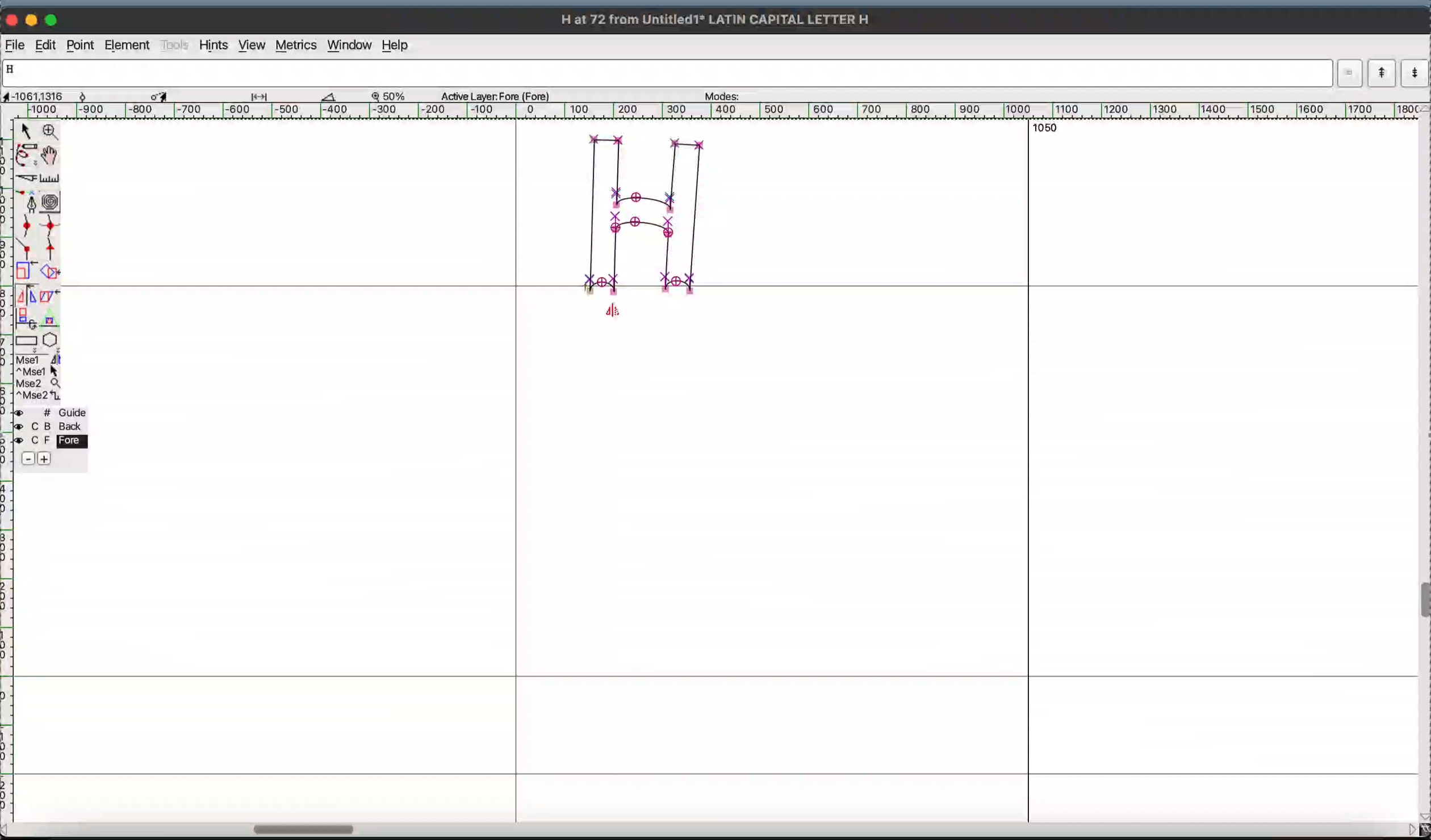  I want to click on zoom, so click(51, 131).